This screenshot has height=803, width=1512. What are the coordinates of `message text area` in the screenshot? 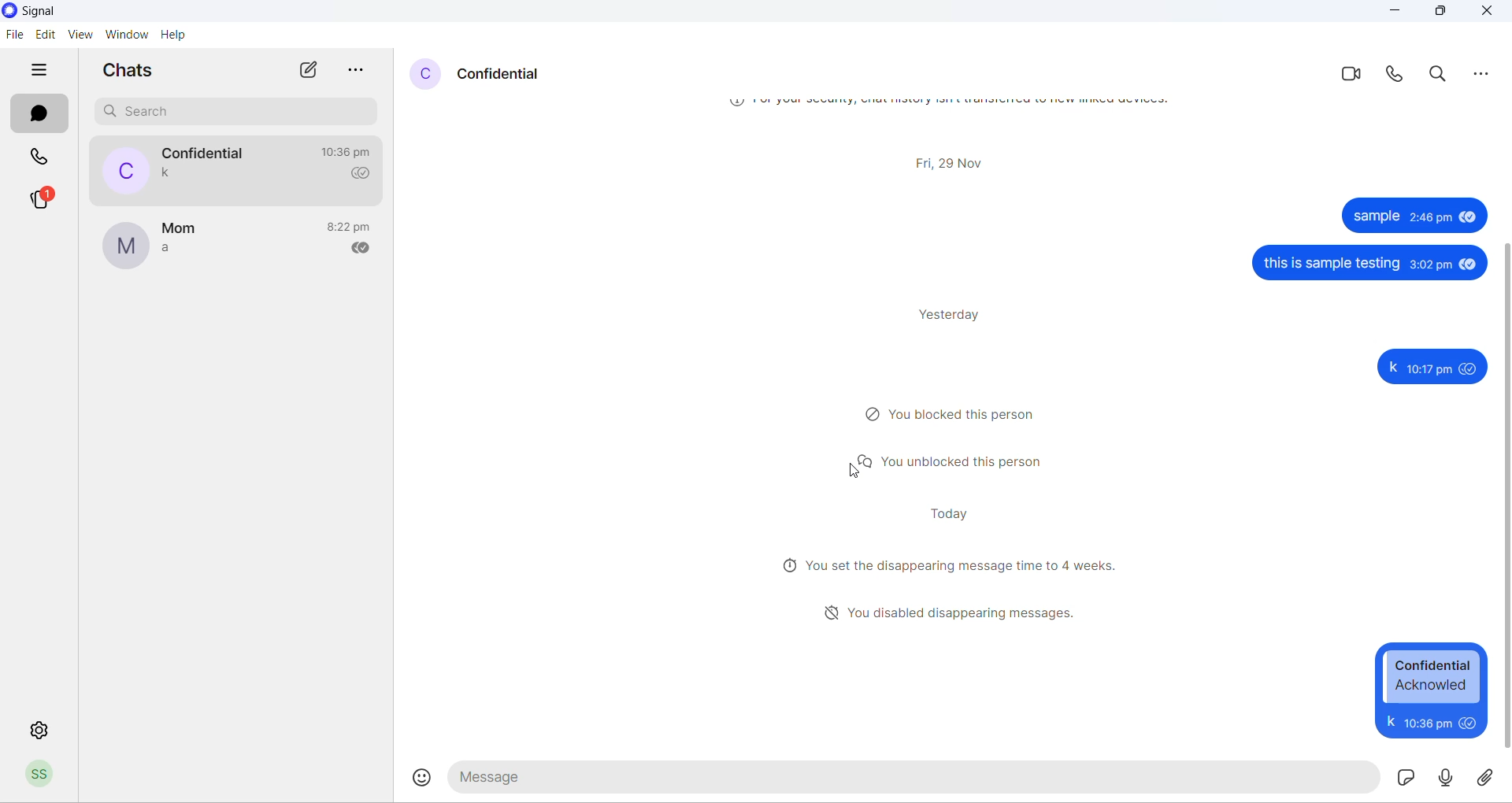 It's located at (918, 775).